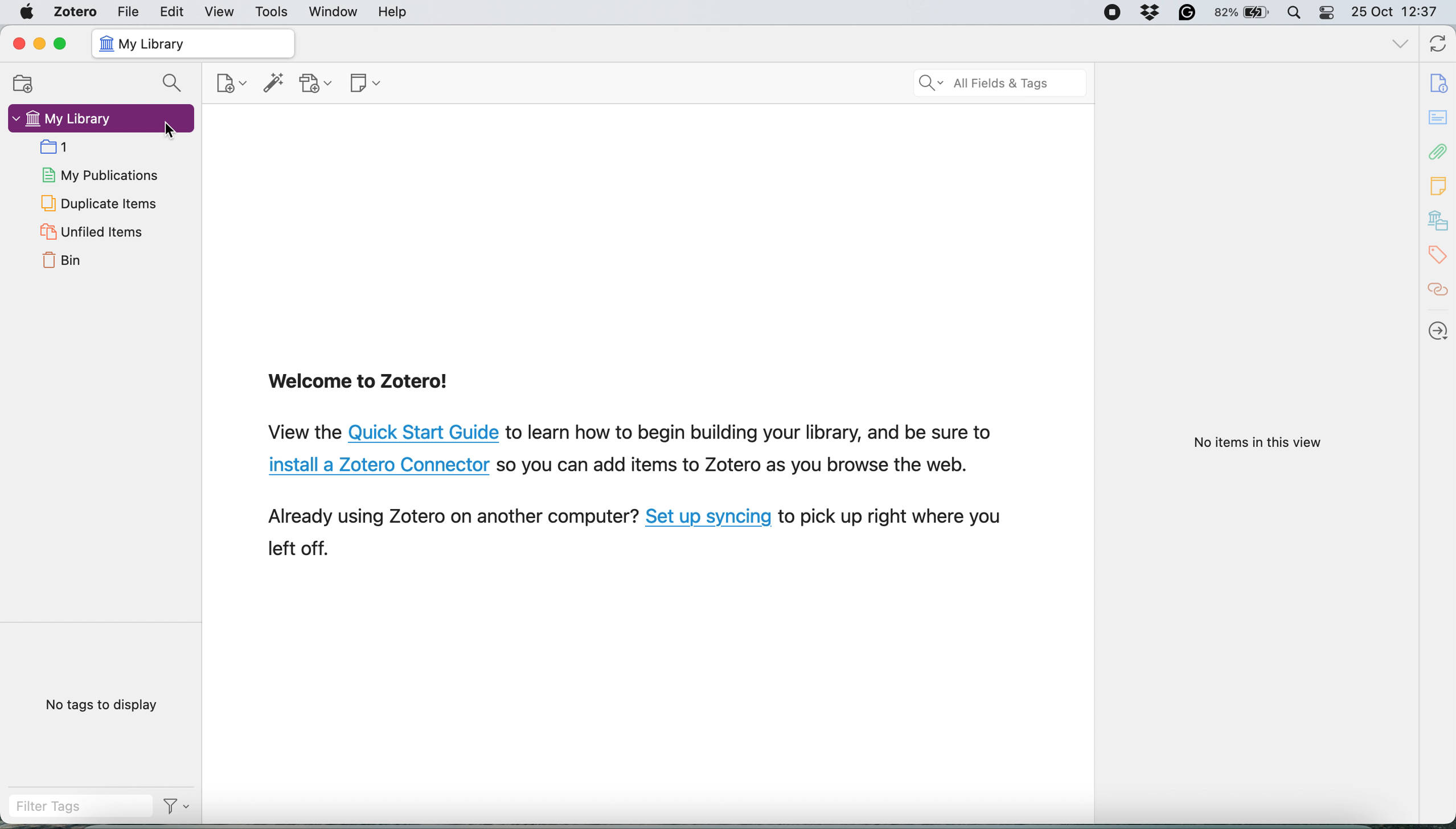  I want to click on View the Quick Start Guide to learn how to begin building your library, and be sure to install a Zotero Connector so you can add items to Zotero as you browse the web. Already using Zotero on another computer? Set up syncing to pick up right where you left off., so click(642, 491).